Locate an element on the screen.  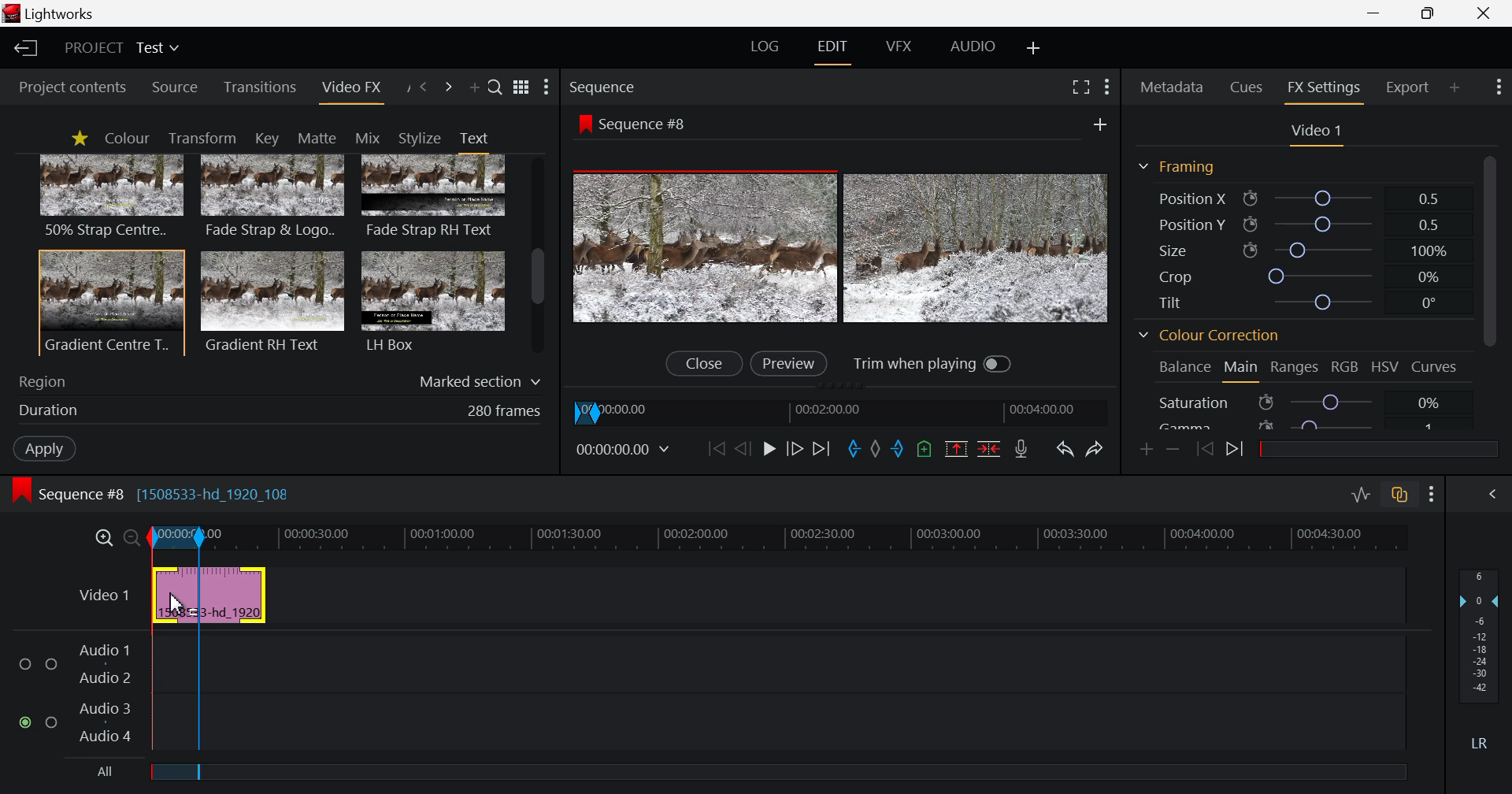
Preview is located at coordinates (788, 362).